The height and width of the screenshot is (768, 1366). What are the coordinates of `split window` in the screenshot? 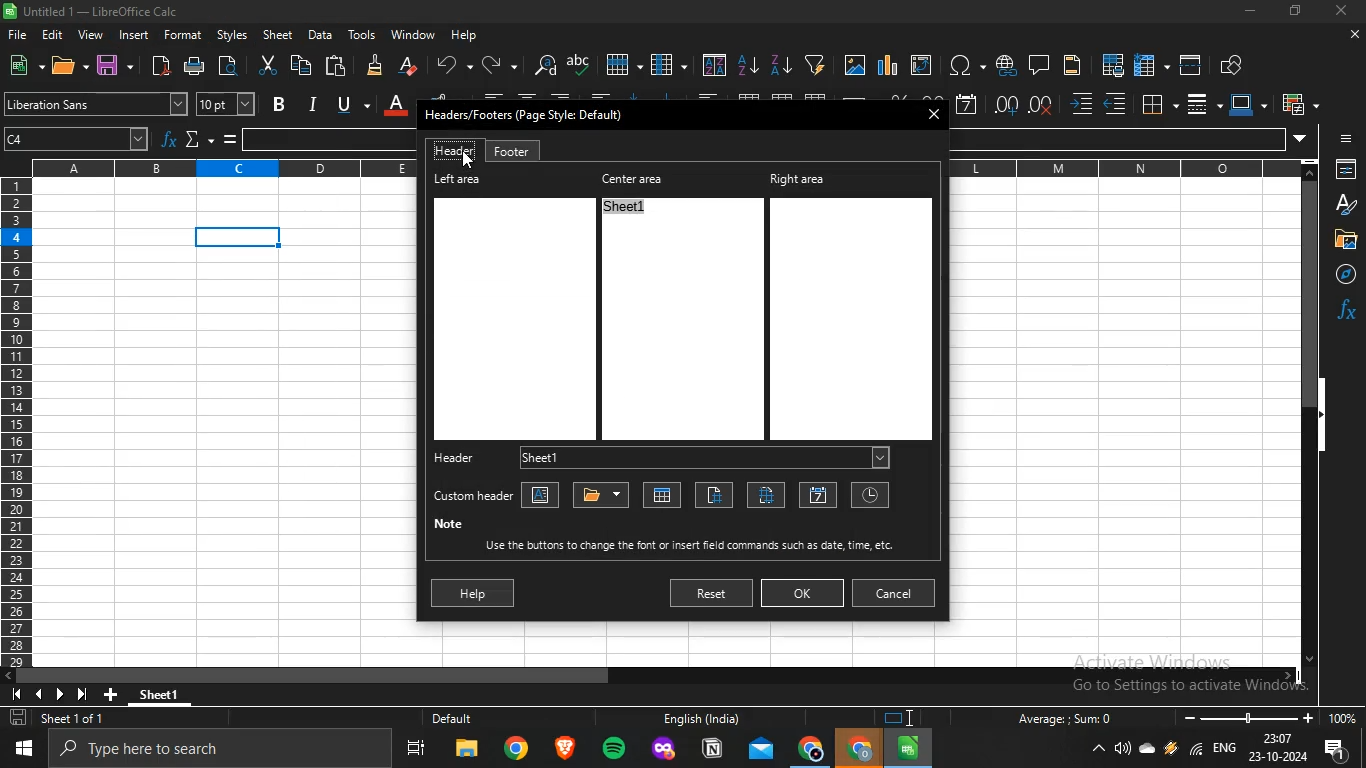 It's located at (1191, 64).